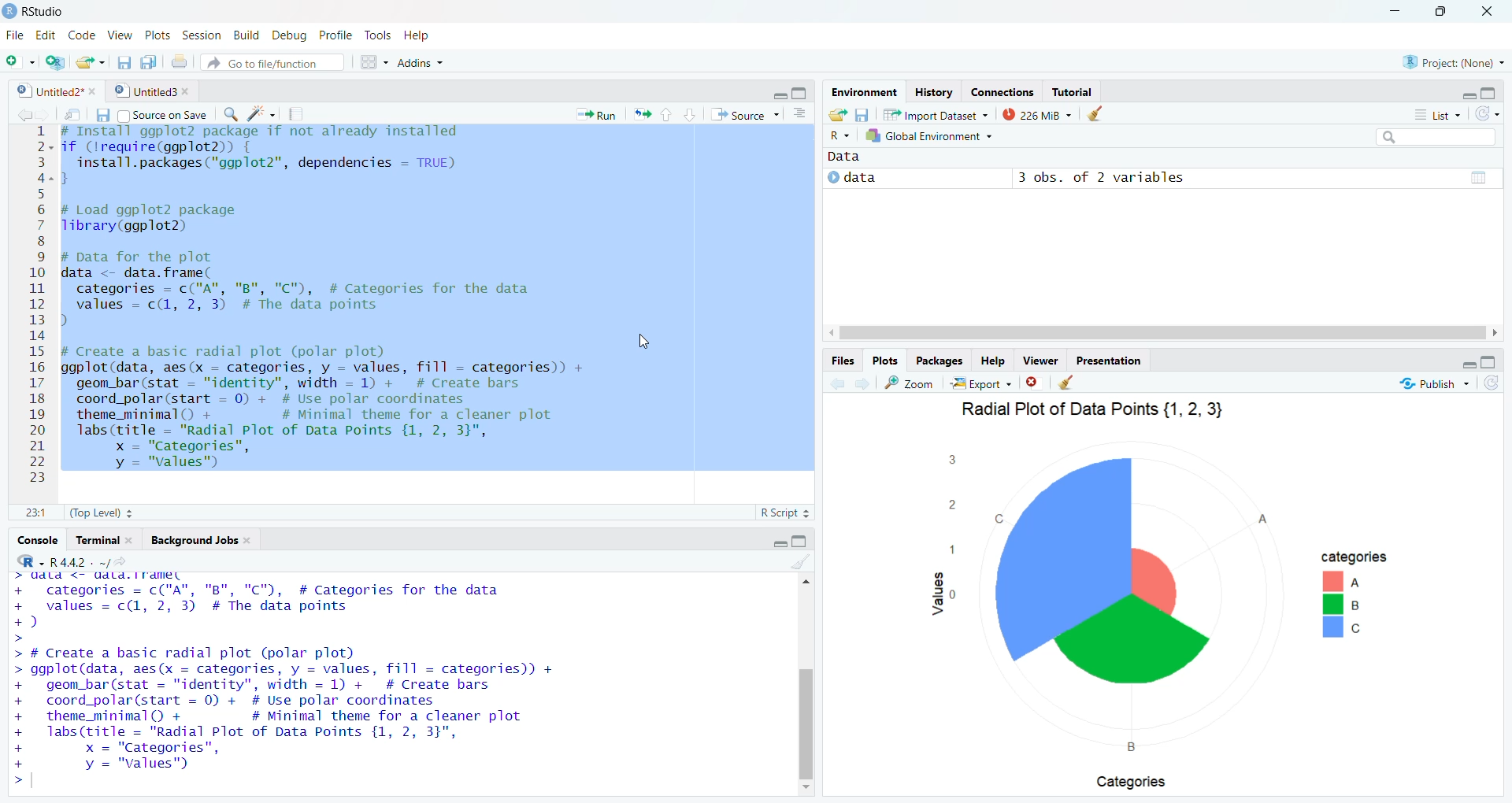 The image size is (1512, 803). What do you see at coordinates (991, 362) in the screenshot?
I see `Help` at bounding box center [991, 362].